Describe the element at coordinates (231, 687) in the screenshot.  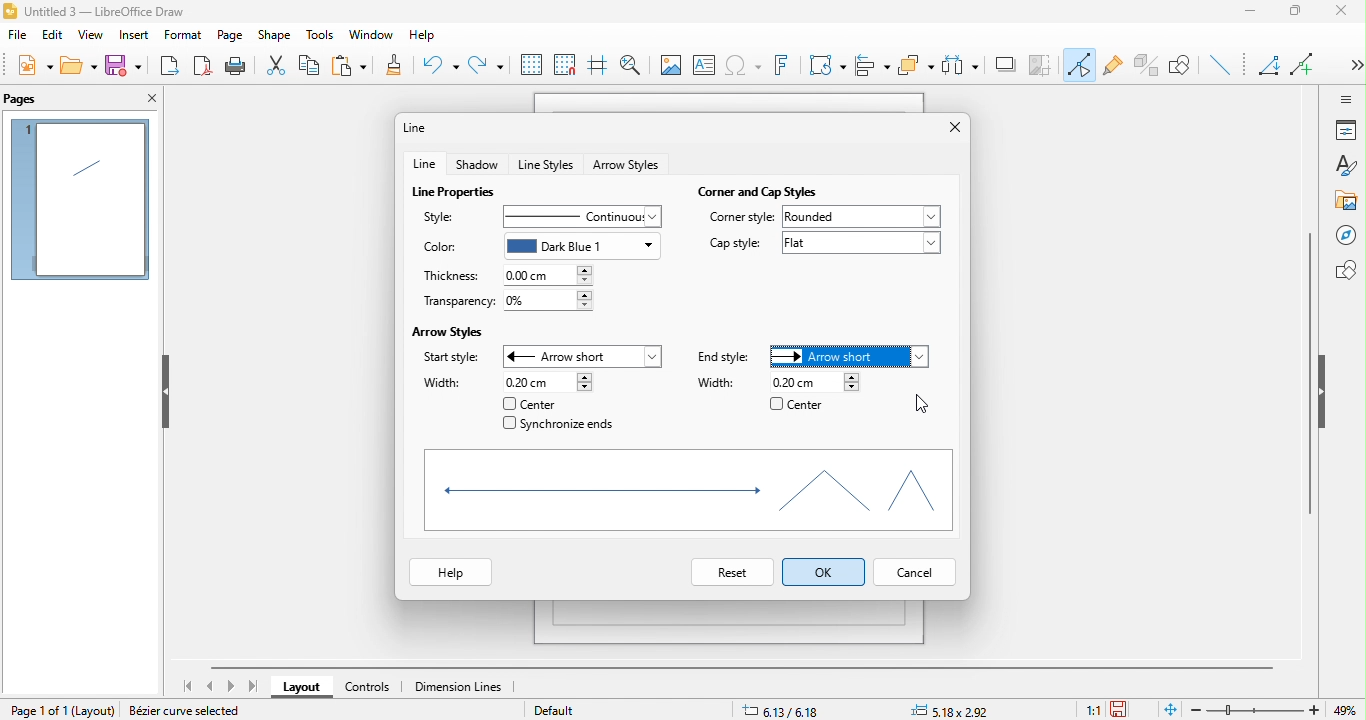
I see `next page` at that location.